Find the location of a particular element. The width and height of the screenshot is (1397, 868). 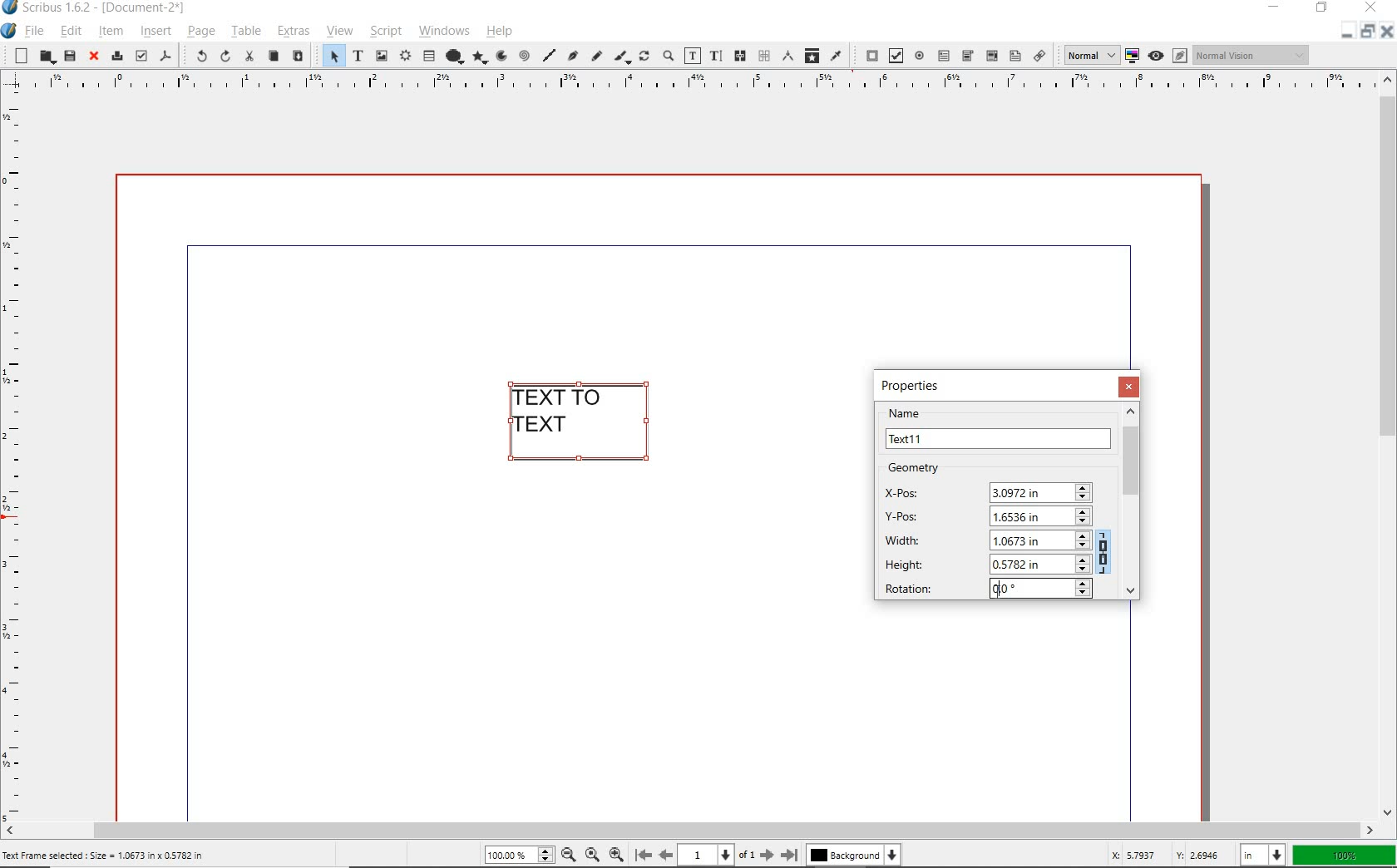

script is located at coordinates (386, 31).